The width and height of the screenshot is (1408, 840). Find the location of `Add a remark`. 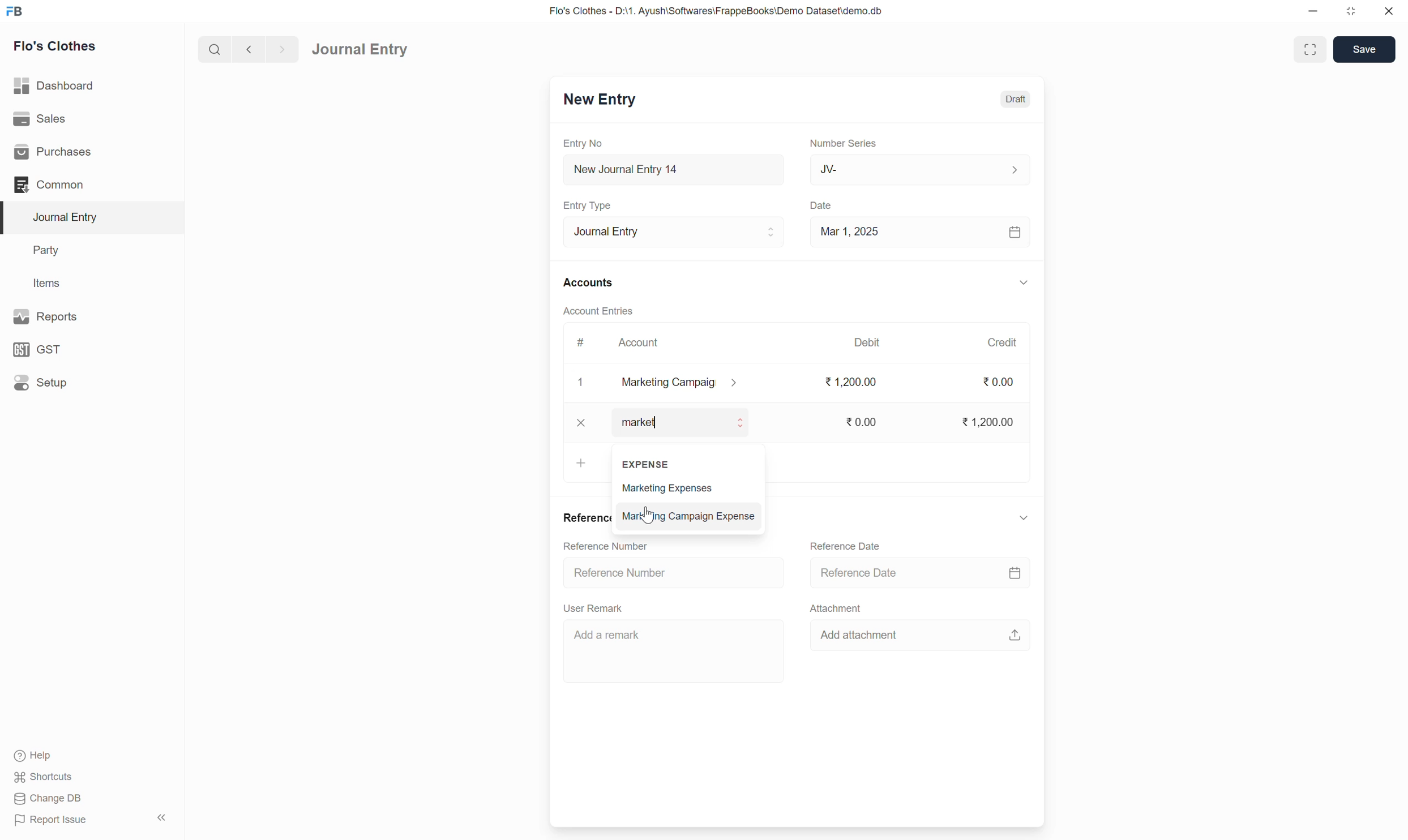

Add a remark is located at coordinates (650, 648).